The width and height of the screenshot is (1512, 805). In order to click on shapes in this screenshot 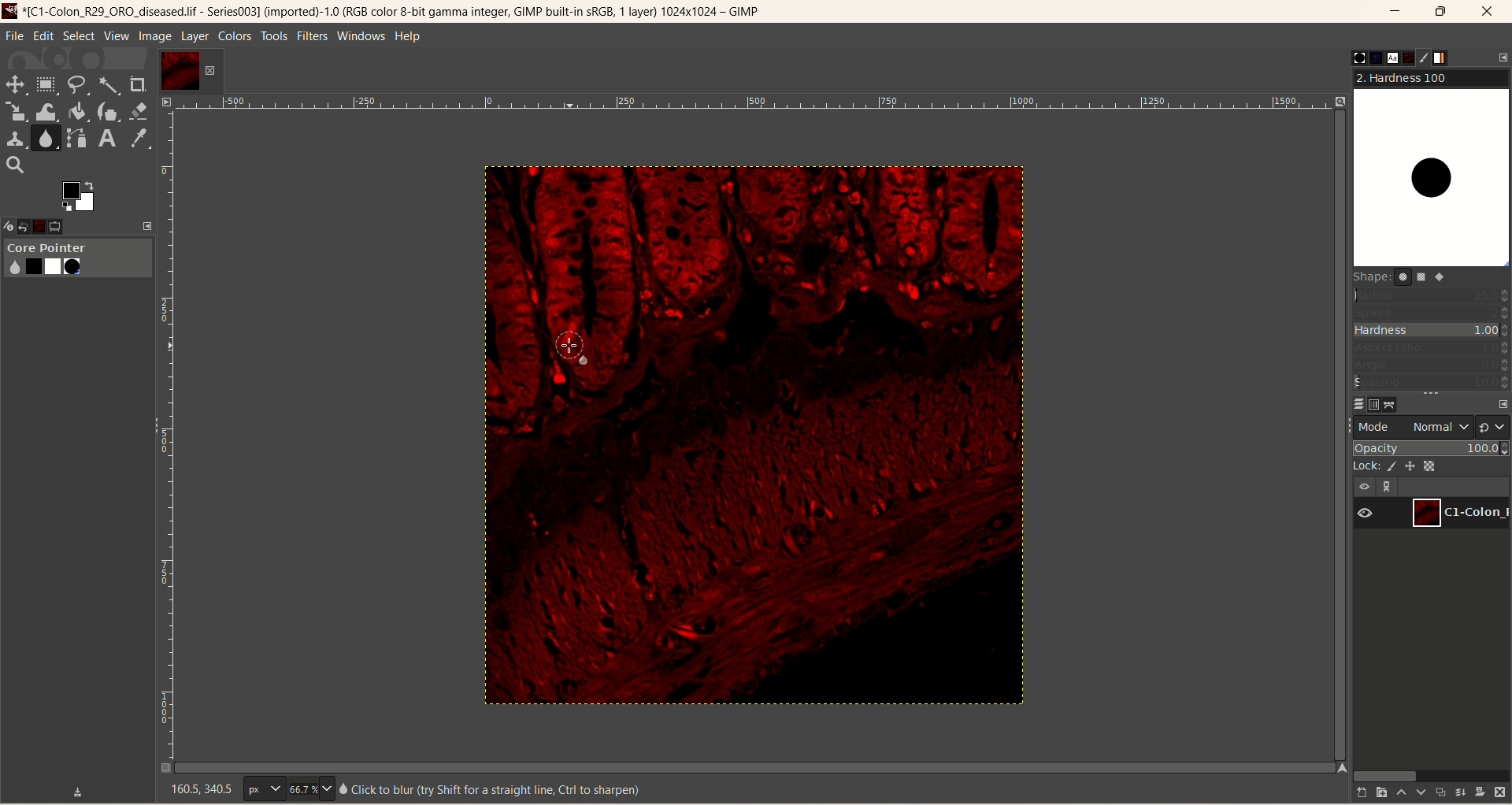, I will do `click(1408, 280)`.